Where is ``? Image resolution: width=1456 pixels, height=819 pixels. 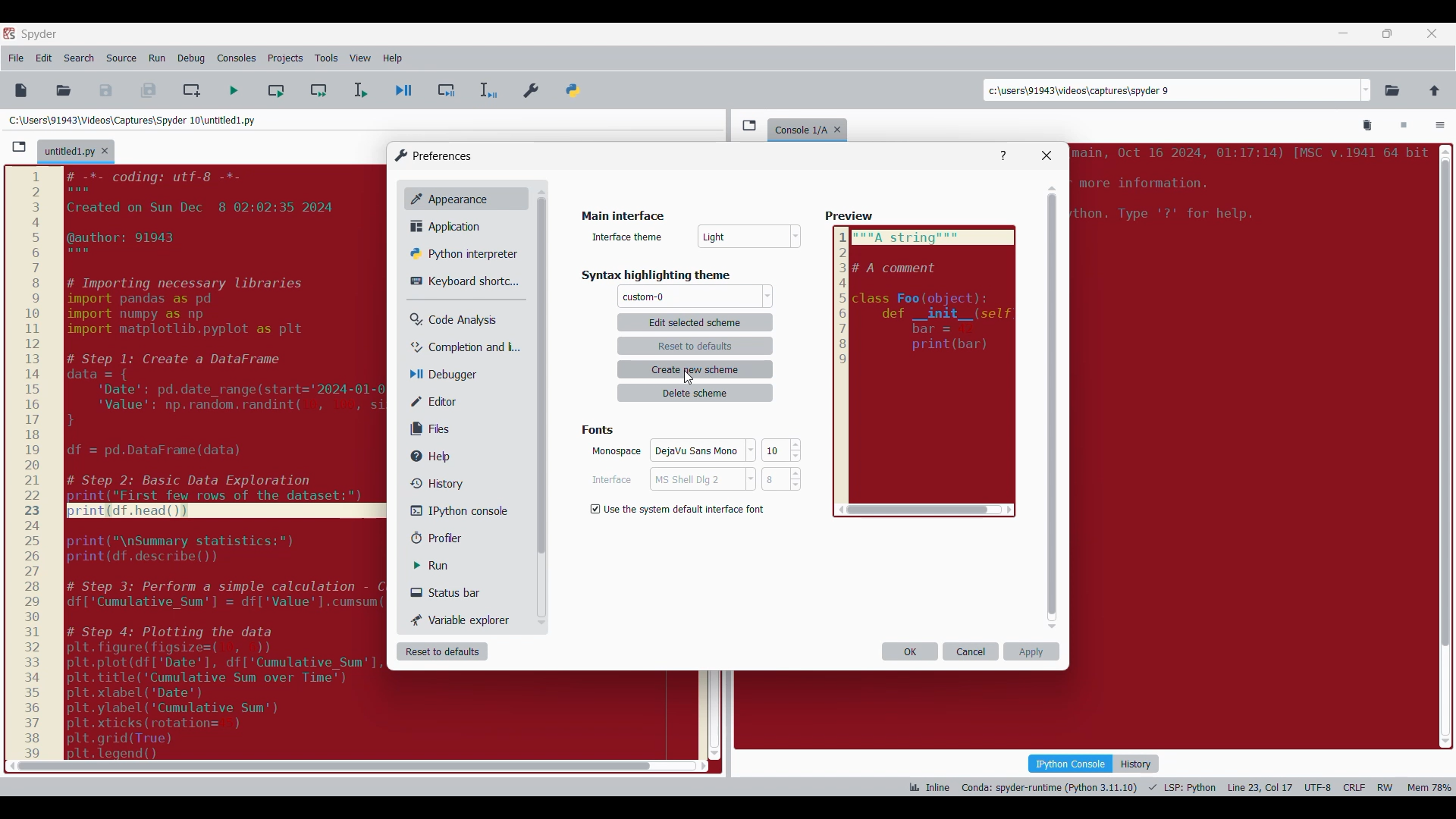  is located at coordinates (689, 382).